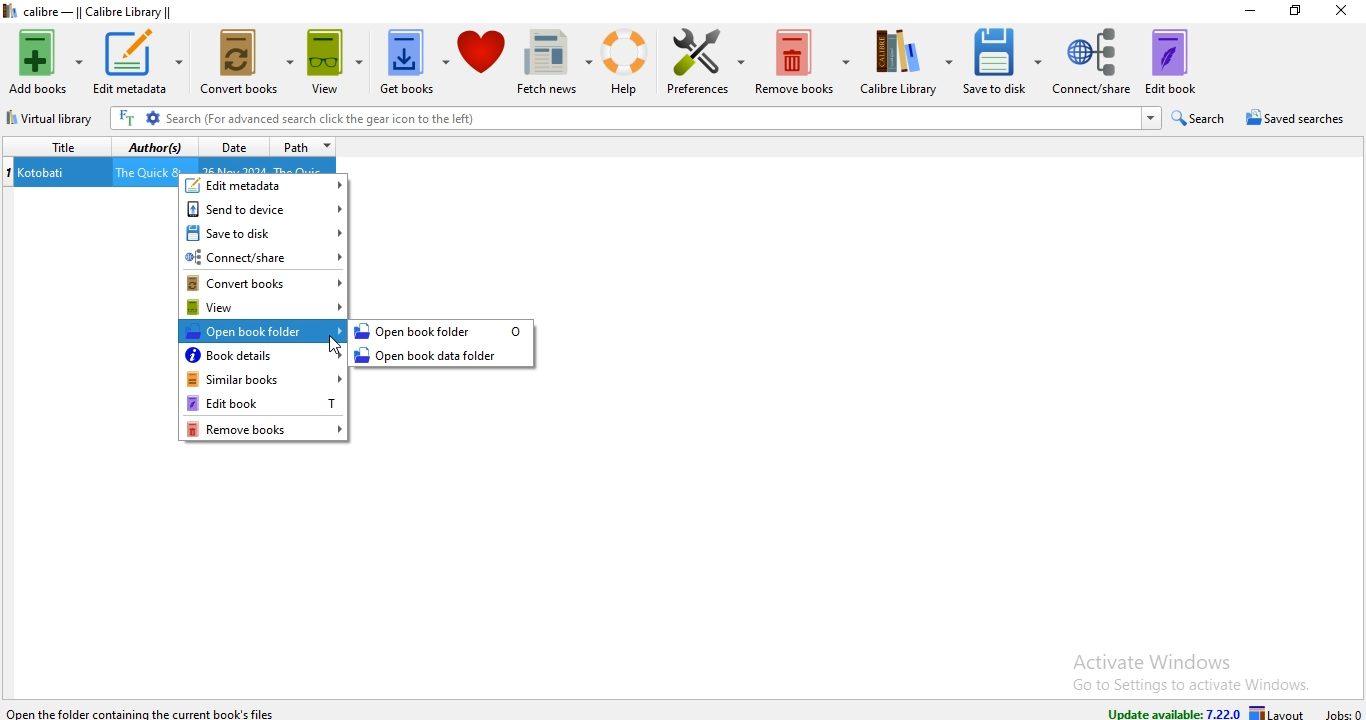 This screenshot has height=720, width=1366. I want to click on path, so click(303, 146).